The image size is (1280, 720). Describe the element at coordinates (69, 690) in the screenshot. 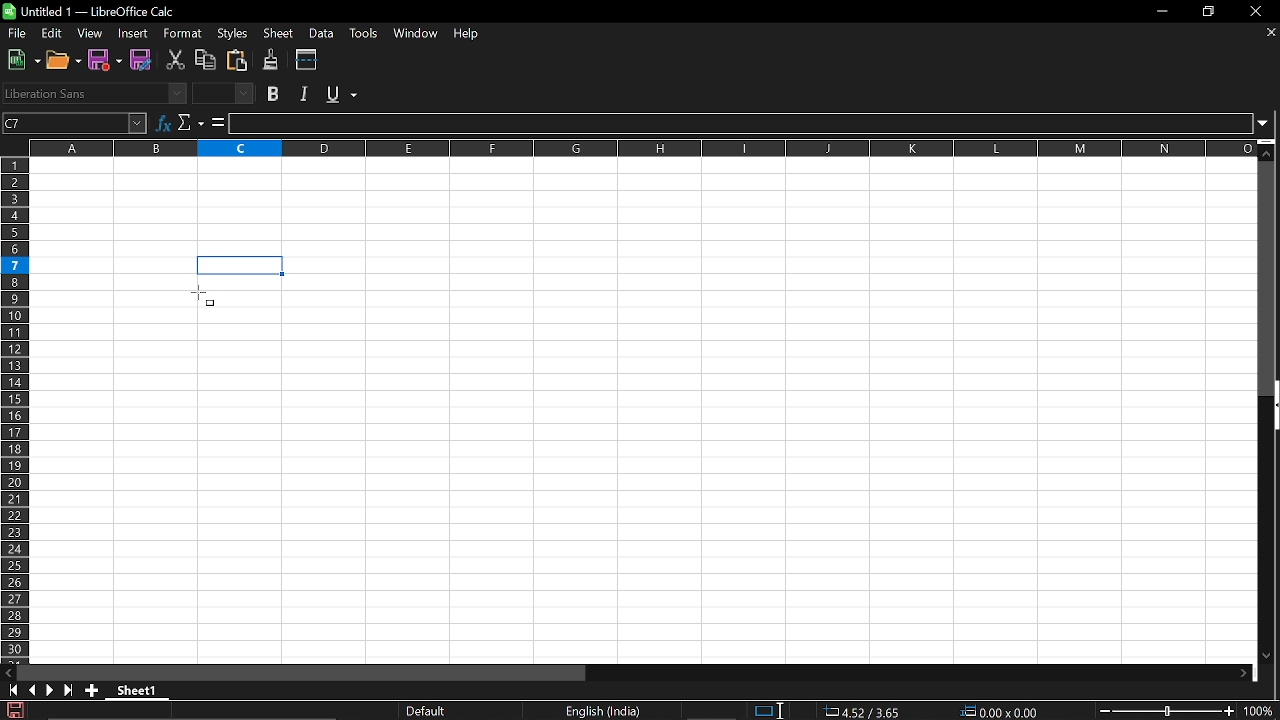

I see `Last sheet` at that location.